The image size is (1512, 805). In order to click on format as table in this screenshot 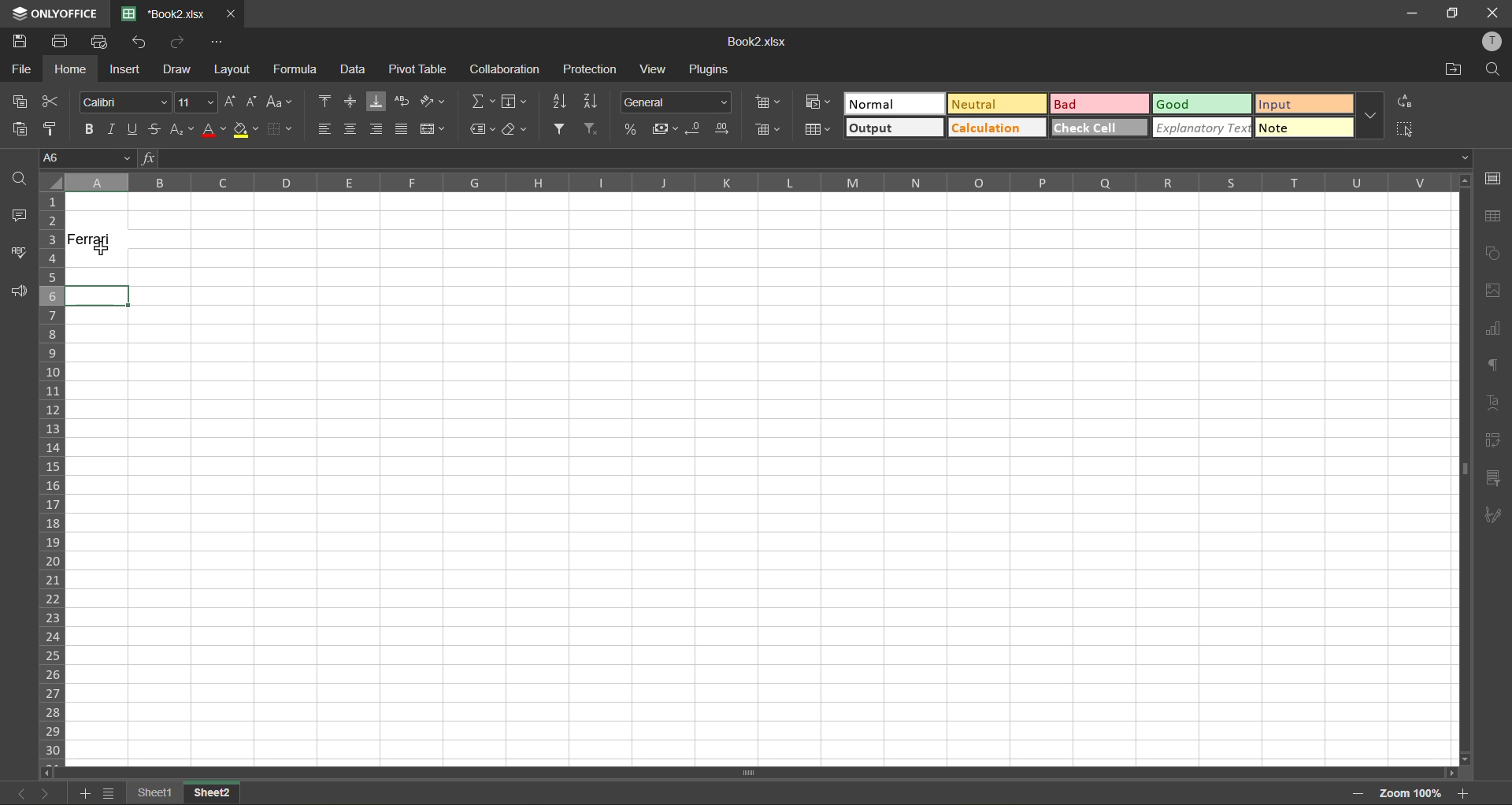, I will do `click(819, 131)`.